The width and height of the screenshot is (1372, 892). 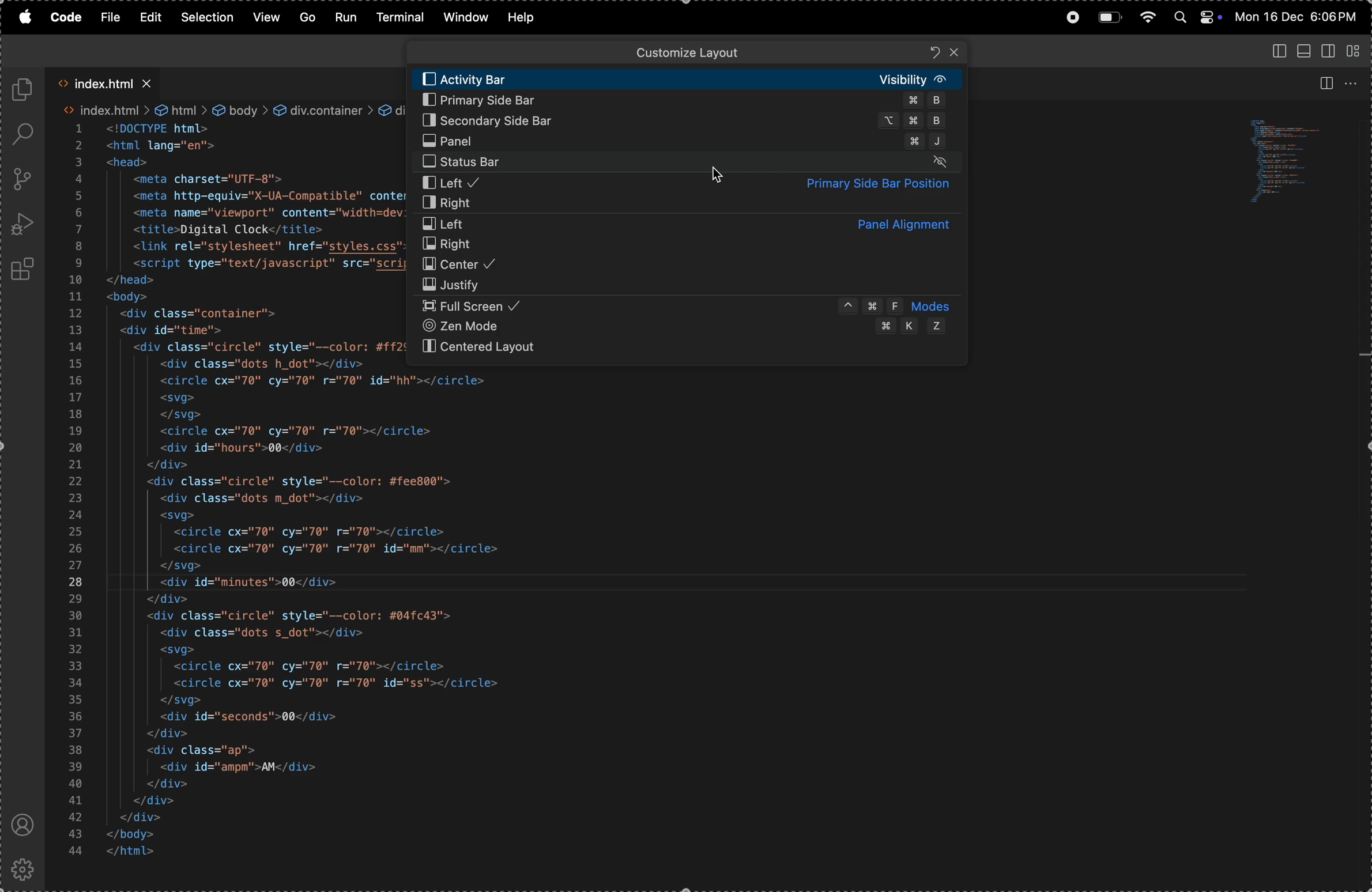 What do you see at coordinates (687, 352) in the screenshot?
I see `centered layout` at bounding box center [687, 352].